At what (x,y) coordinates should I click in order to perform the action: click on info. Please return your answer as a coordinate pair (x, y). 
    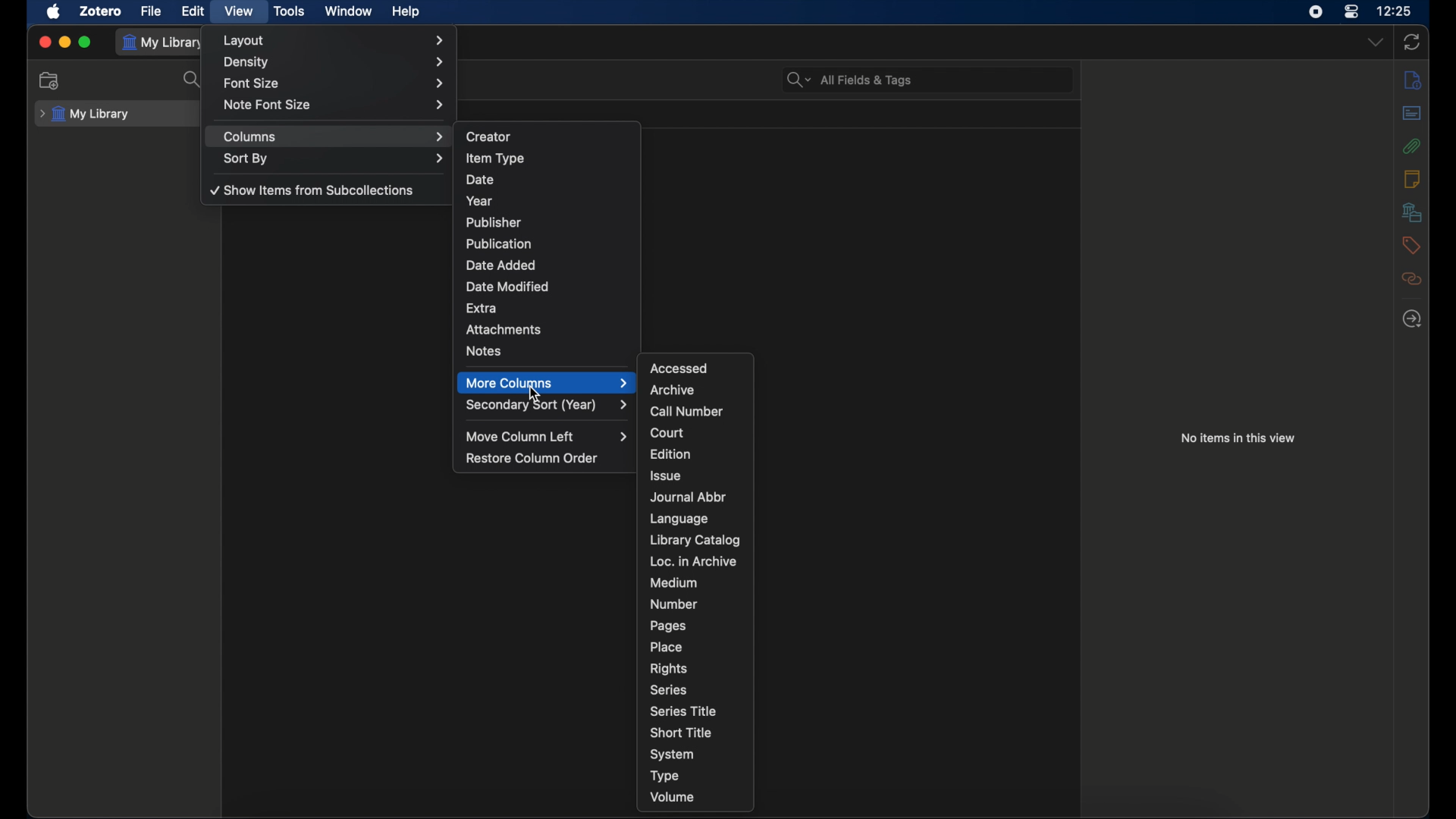
    Looking at the image, I should click on (1412, 80).